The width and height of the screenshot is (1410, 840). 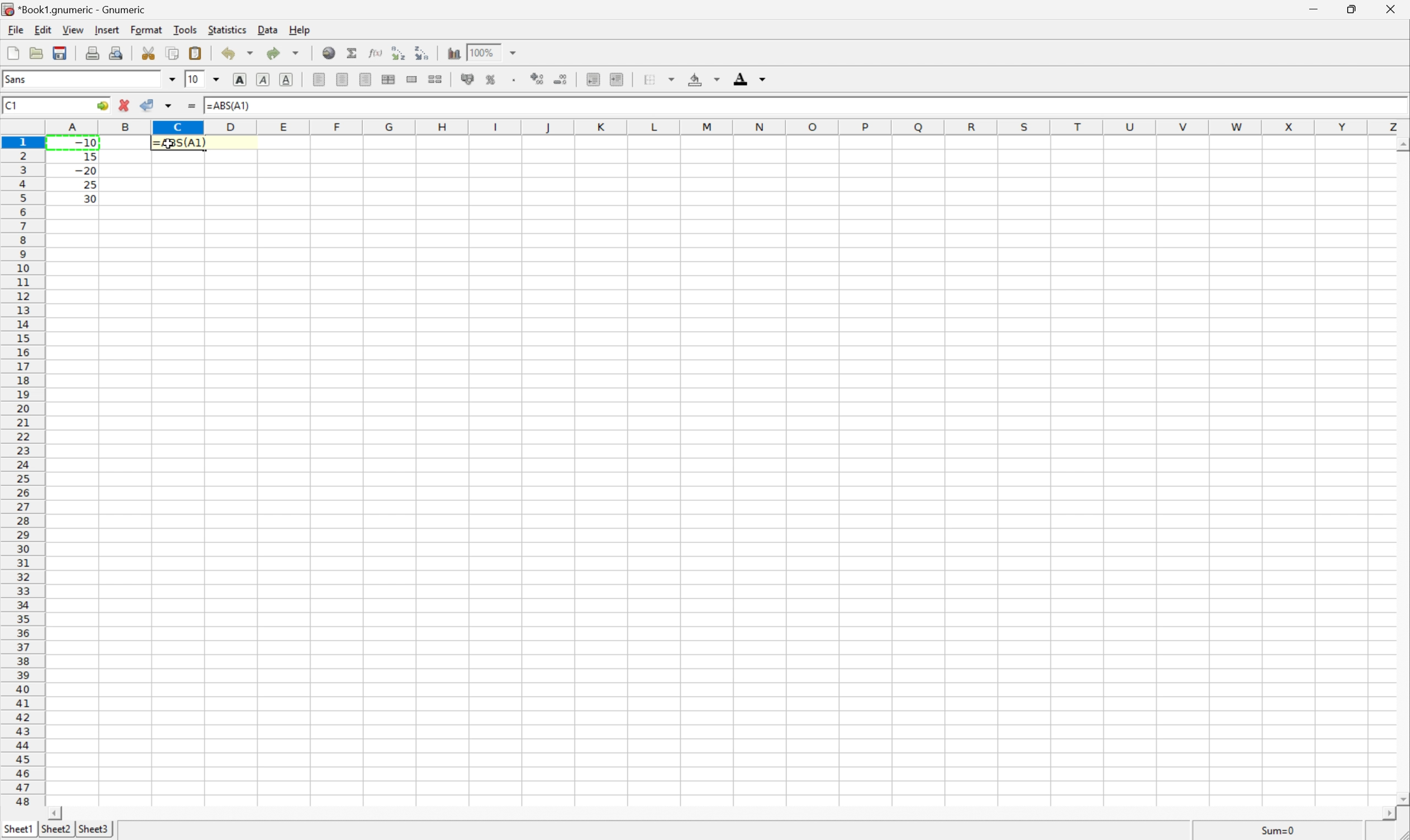 I want to click on align right, so click(x=366, y=81).